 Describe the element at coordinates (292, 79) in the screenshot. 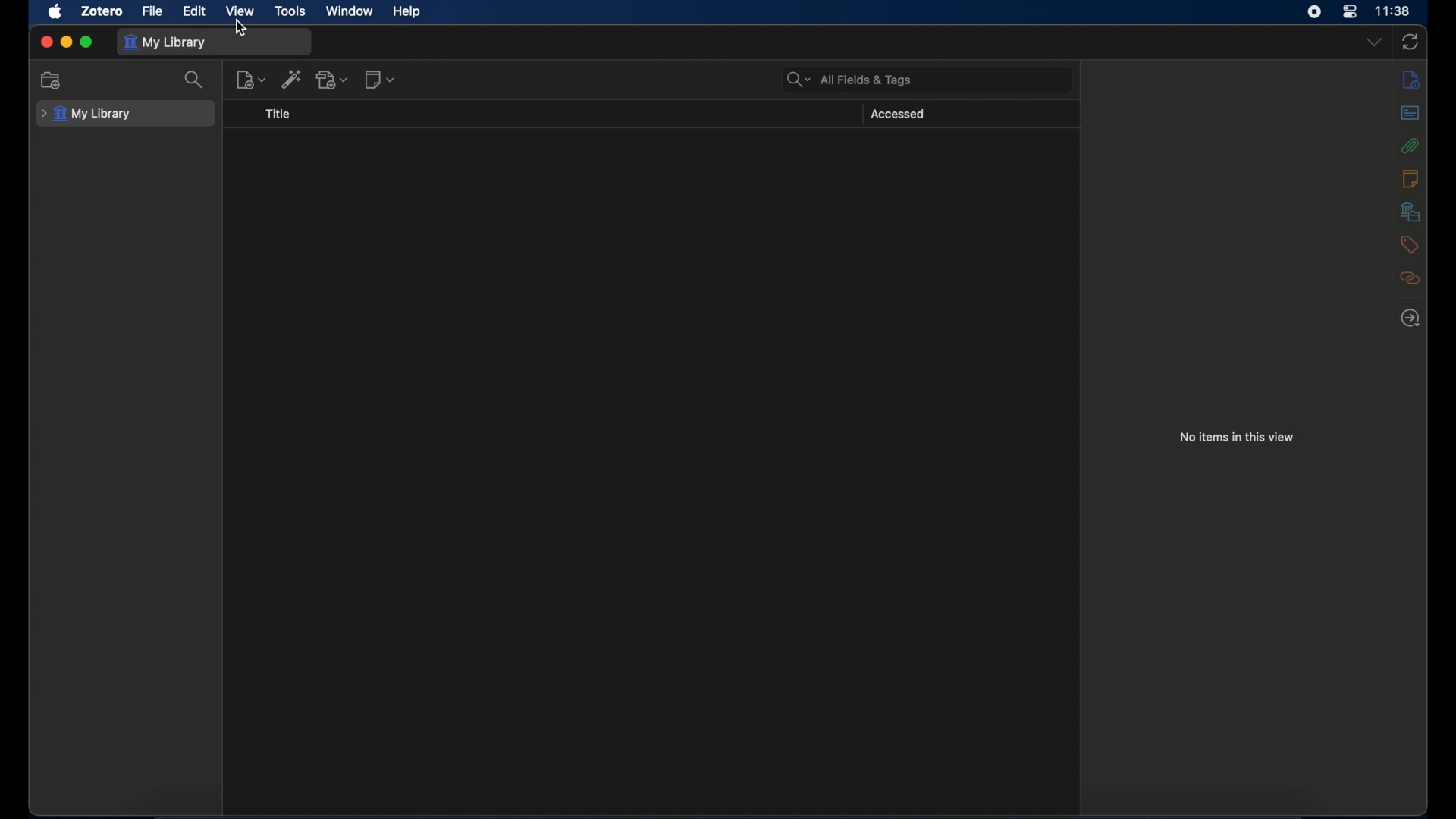

I see `add item by identifier` at that location.